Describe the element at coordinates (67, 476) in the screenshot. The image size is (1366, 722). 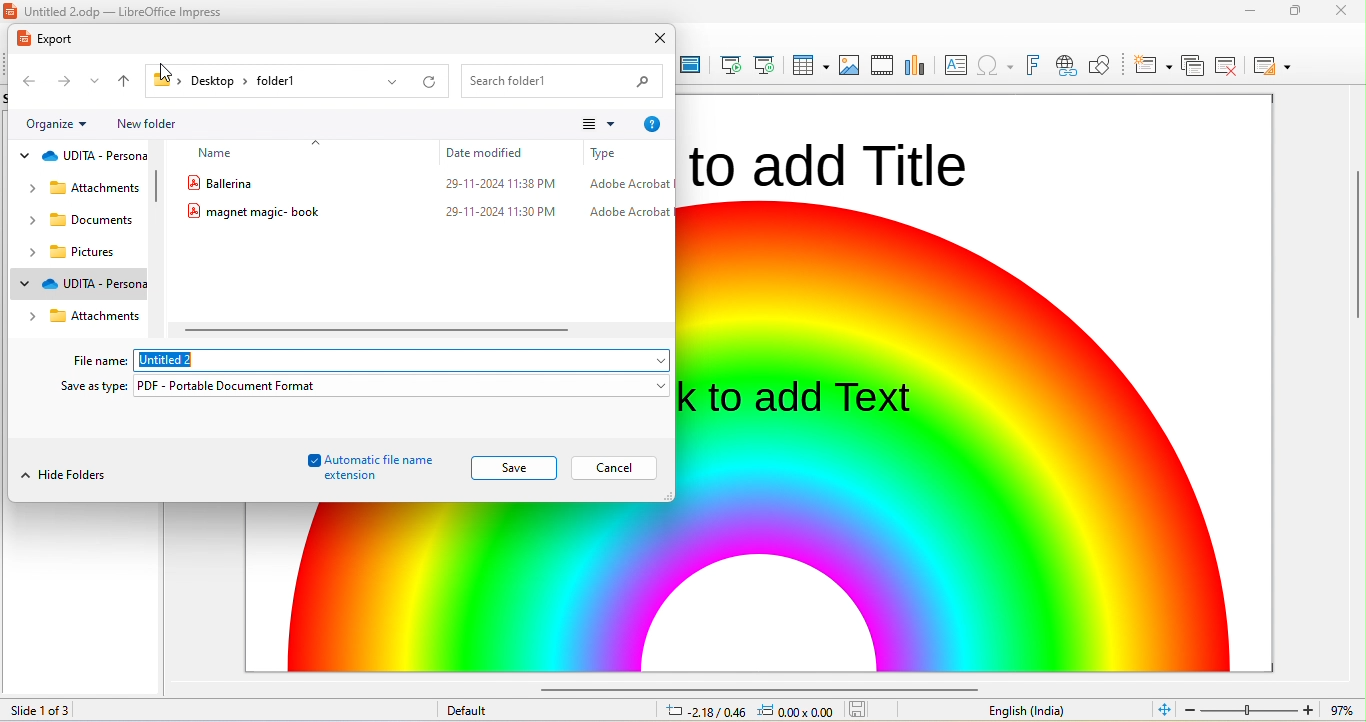
I see `hide folders` at that location.